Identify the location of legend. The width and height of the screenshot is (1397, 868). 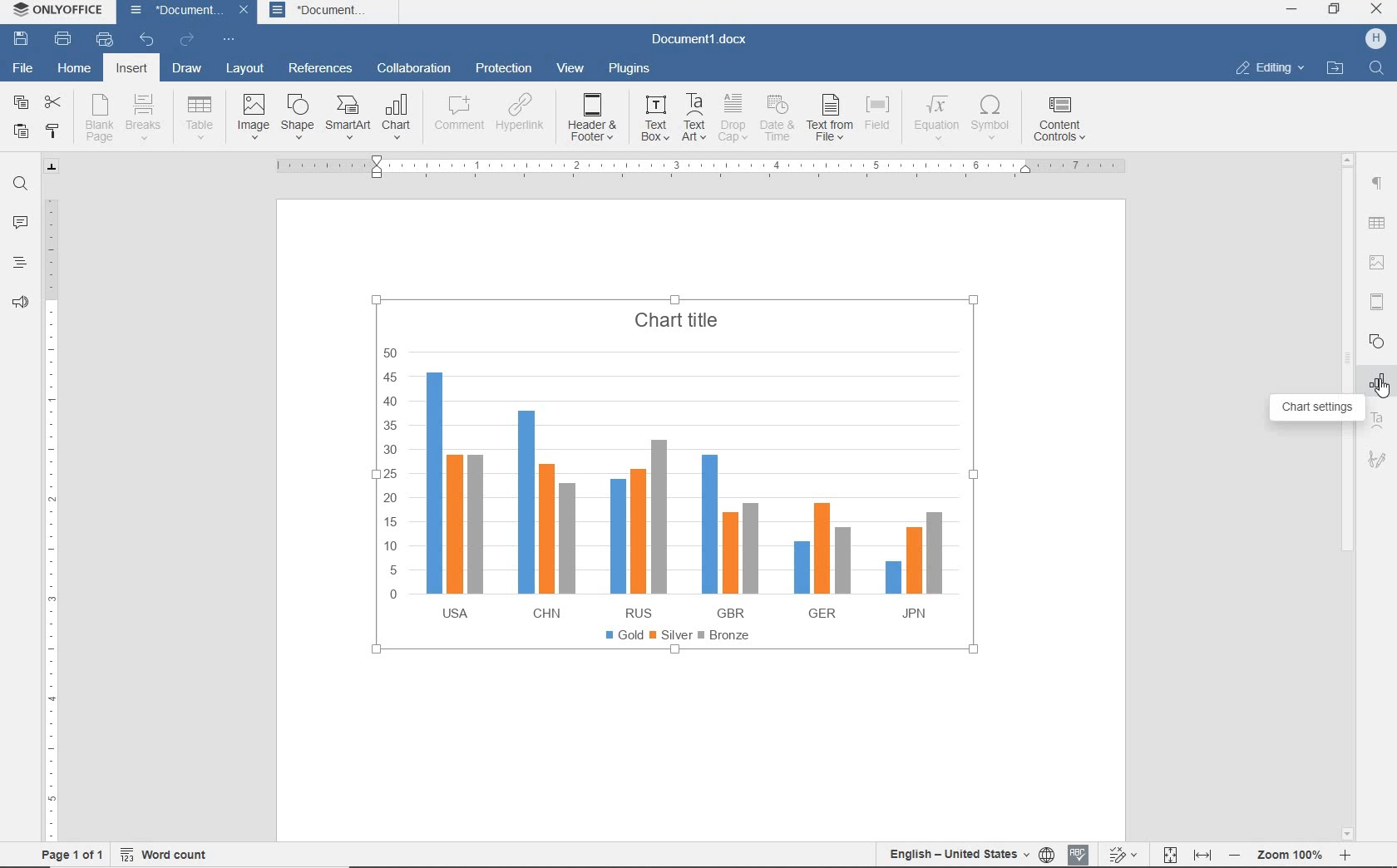
(670, 637).